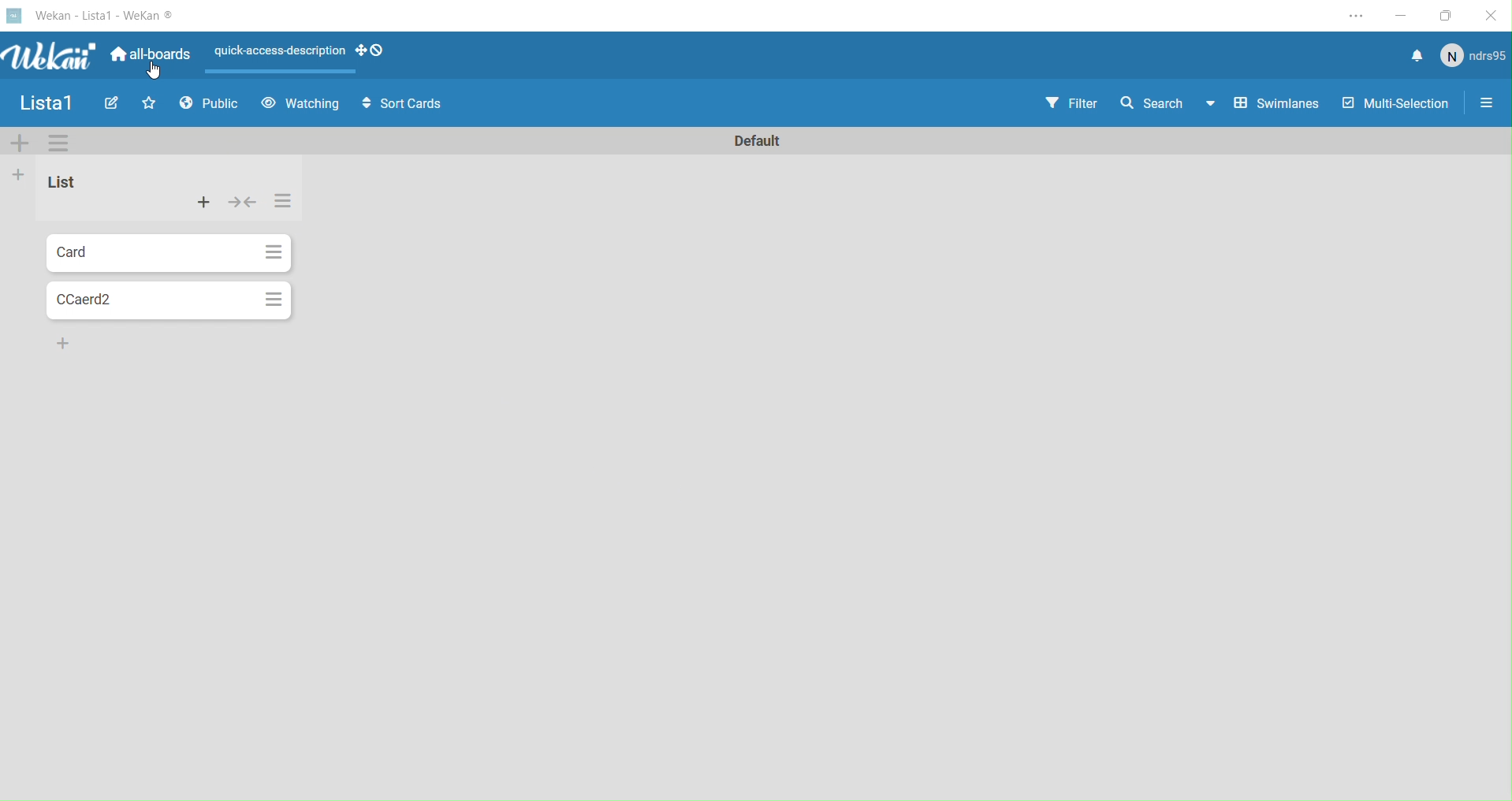 The width and height of the screenshot is (1512, 801). Describe the element at coordinates (53, 55) in the screenshot. I see `WeKan logo` at that location.